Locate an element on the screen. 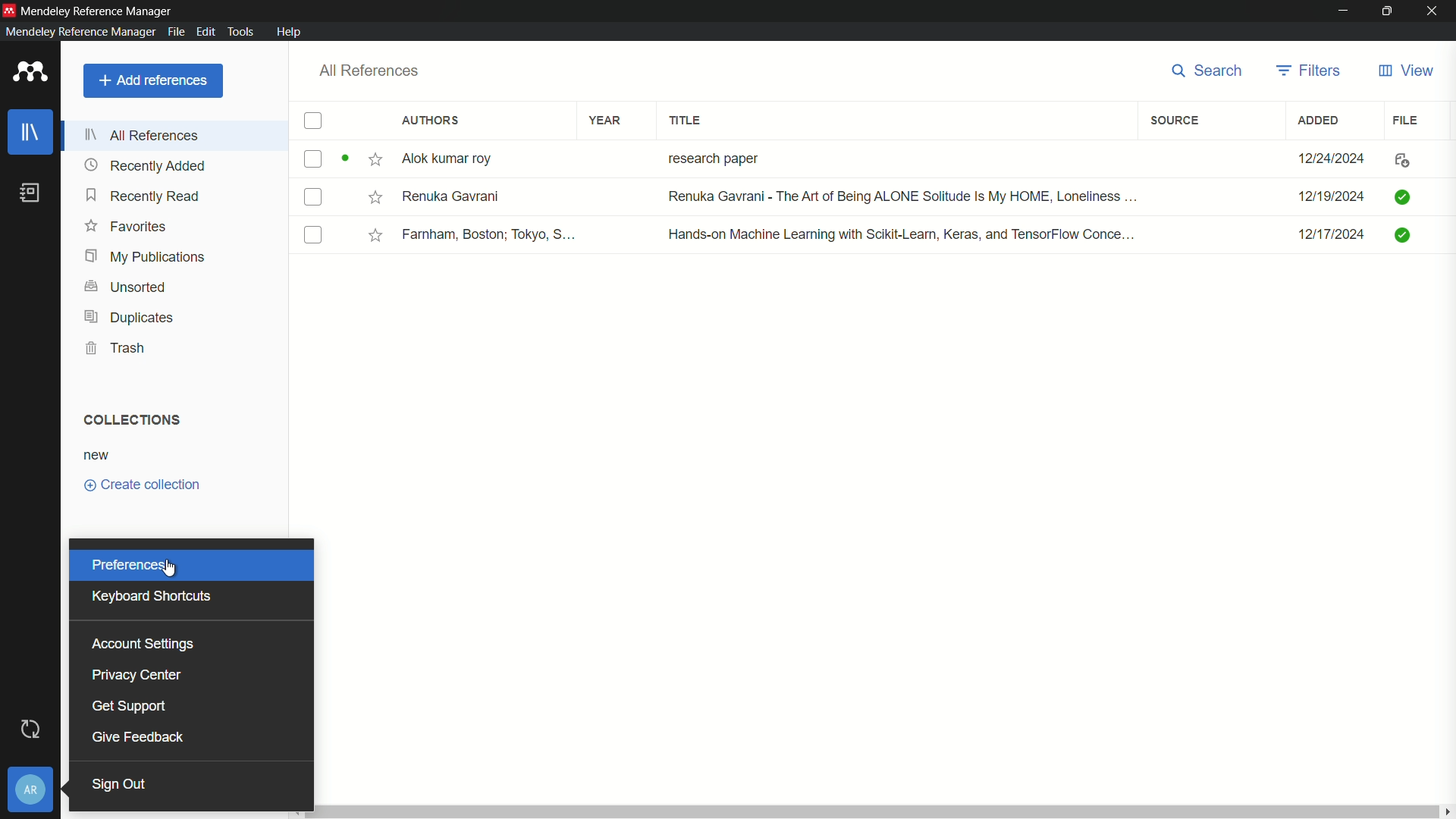 The image size is (1456, 819). account settings is located at coordinates (142, 644).